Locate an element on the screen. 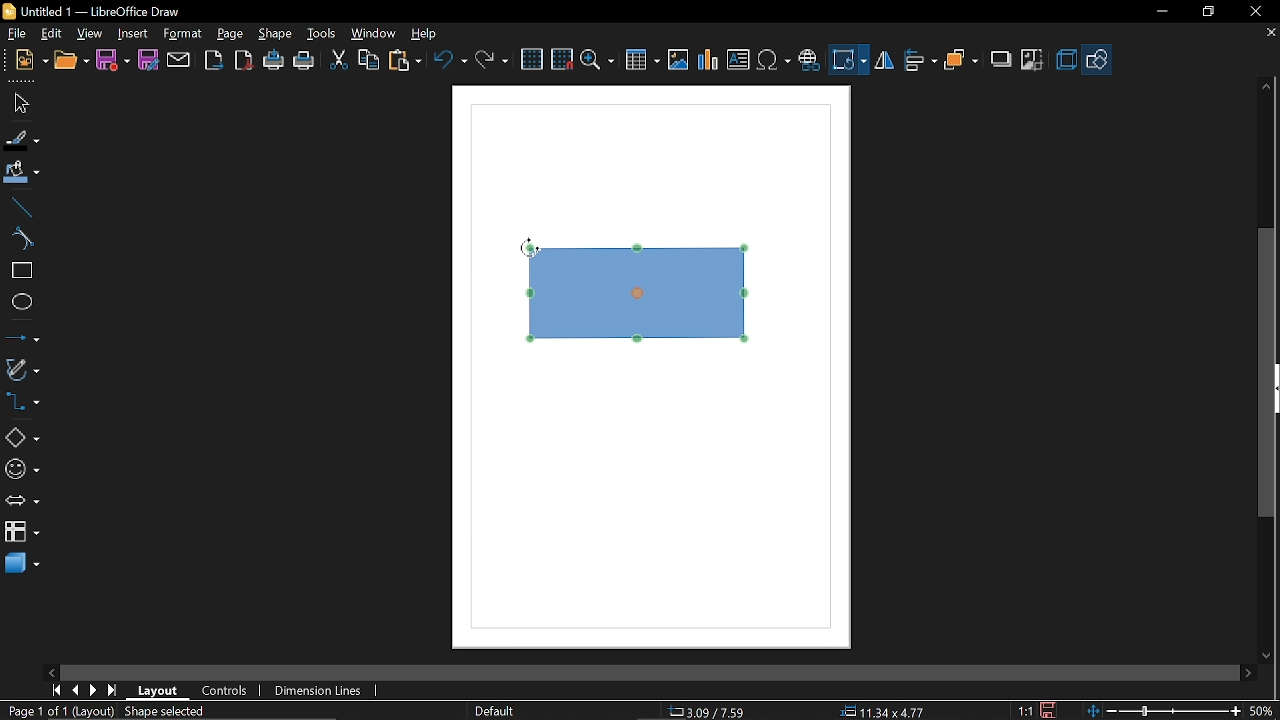  snap to grid is located at coordinates (562, 59).